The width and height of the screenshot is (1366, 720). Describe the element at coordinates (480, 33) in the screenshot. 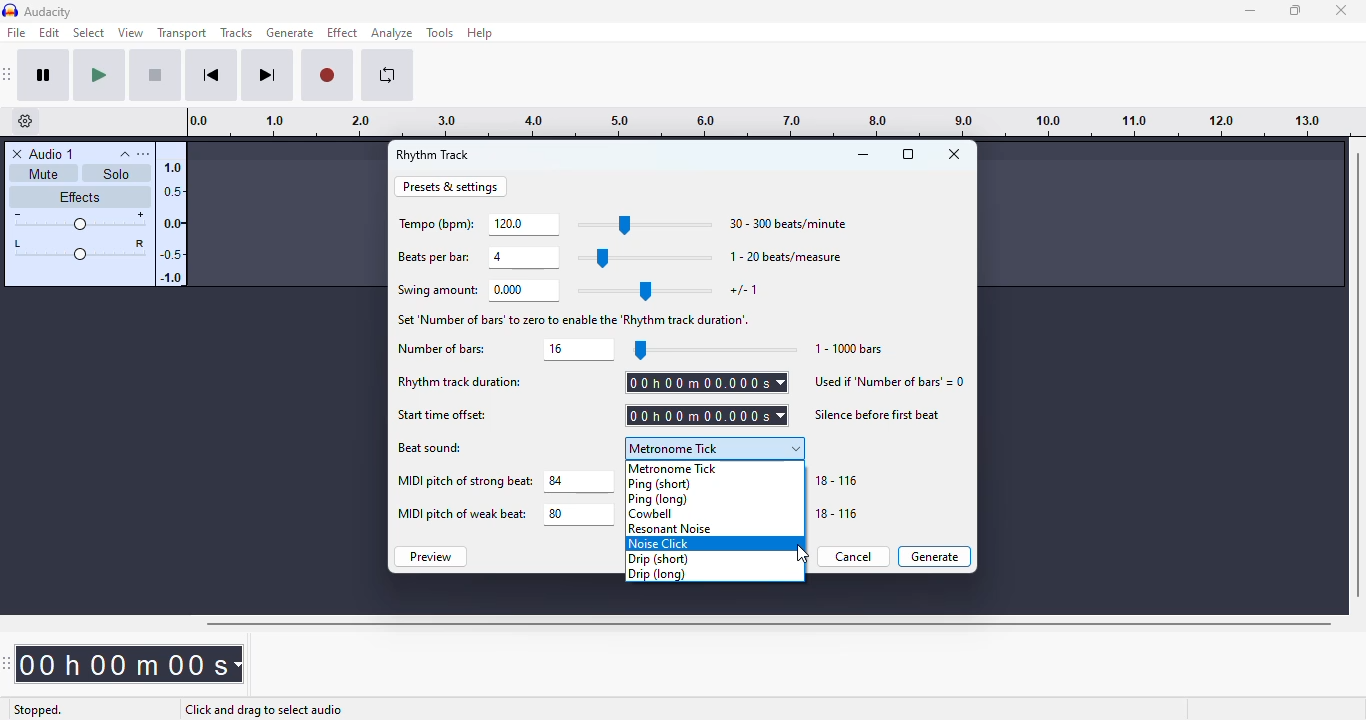

I see `help` at that location.